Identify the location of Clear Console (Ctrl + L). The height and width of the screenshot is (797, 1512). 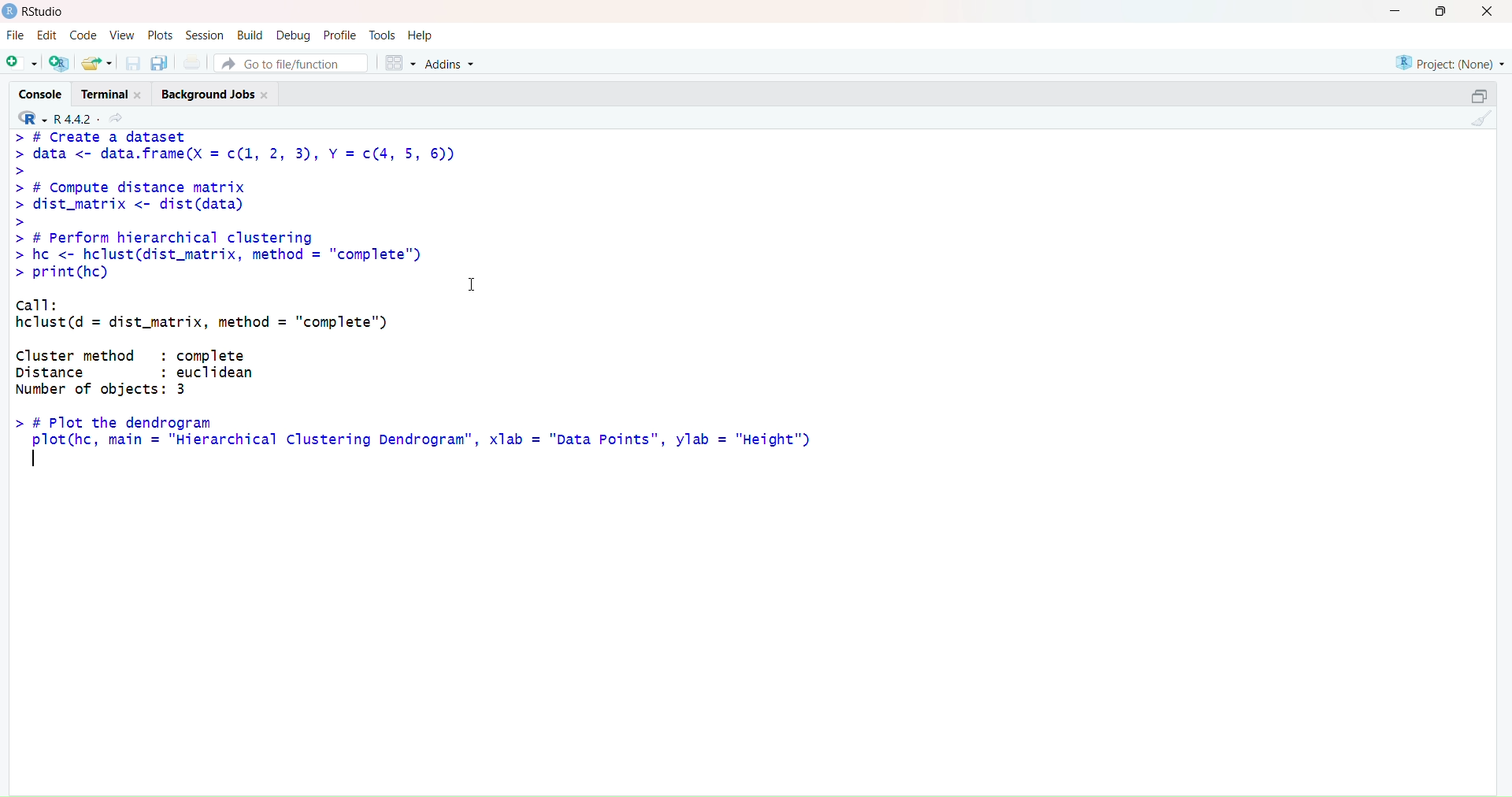
(1480, 119).